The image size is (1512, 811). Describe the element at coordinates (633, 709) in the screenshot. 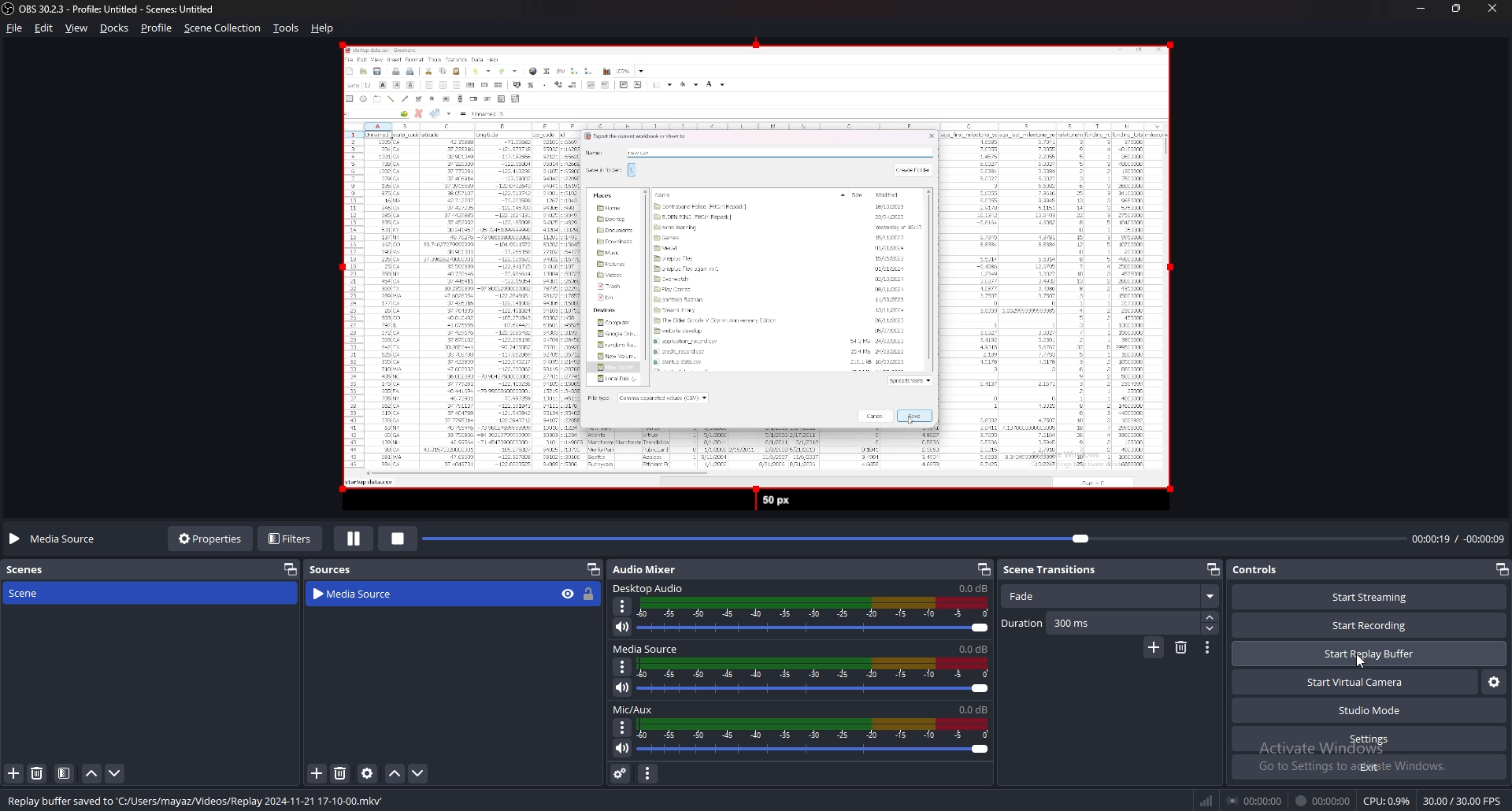

I see `mic/aux` at that location.